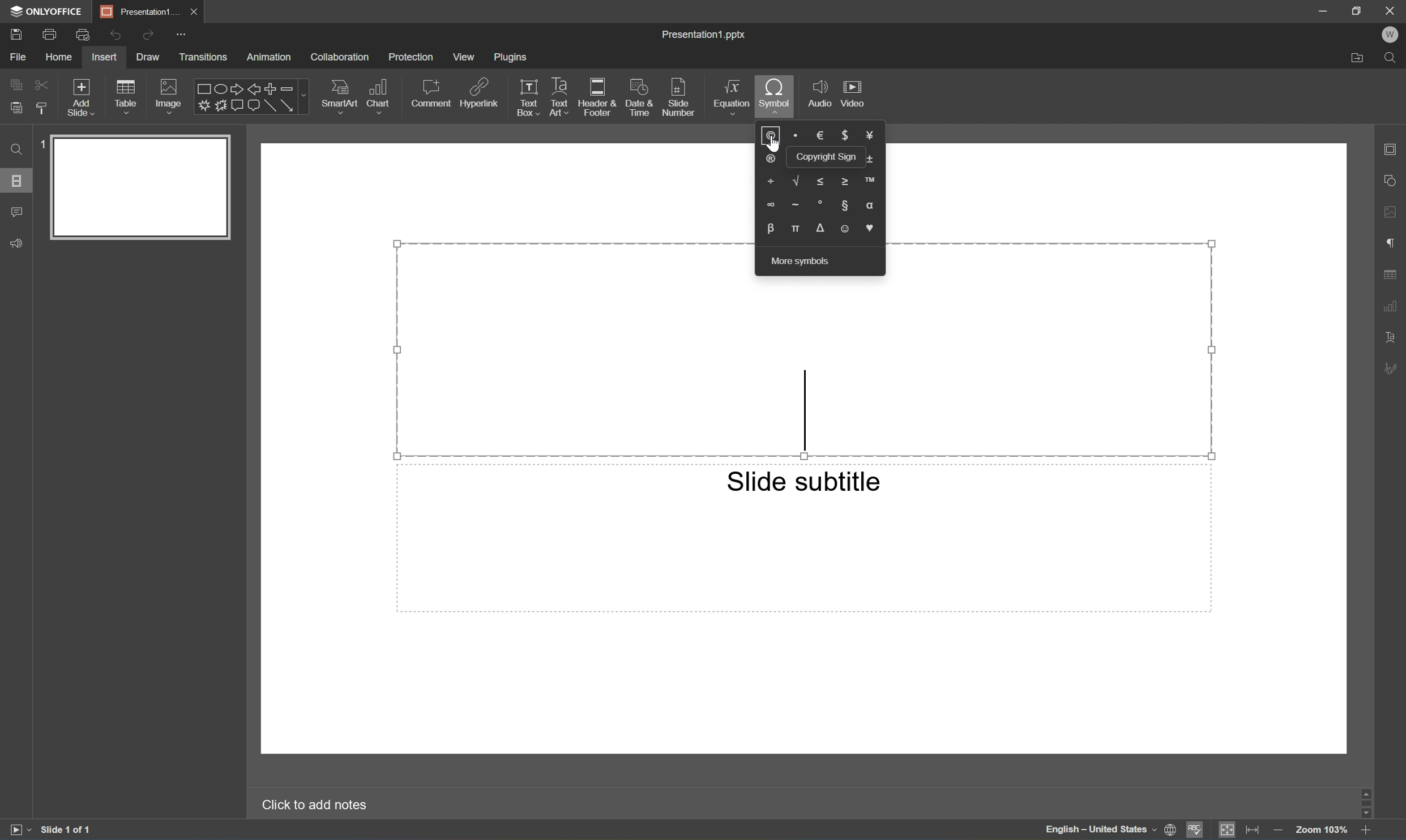  Describe the element at coordinates (268, 57) in the screenshot. I see `Animation` at that location.